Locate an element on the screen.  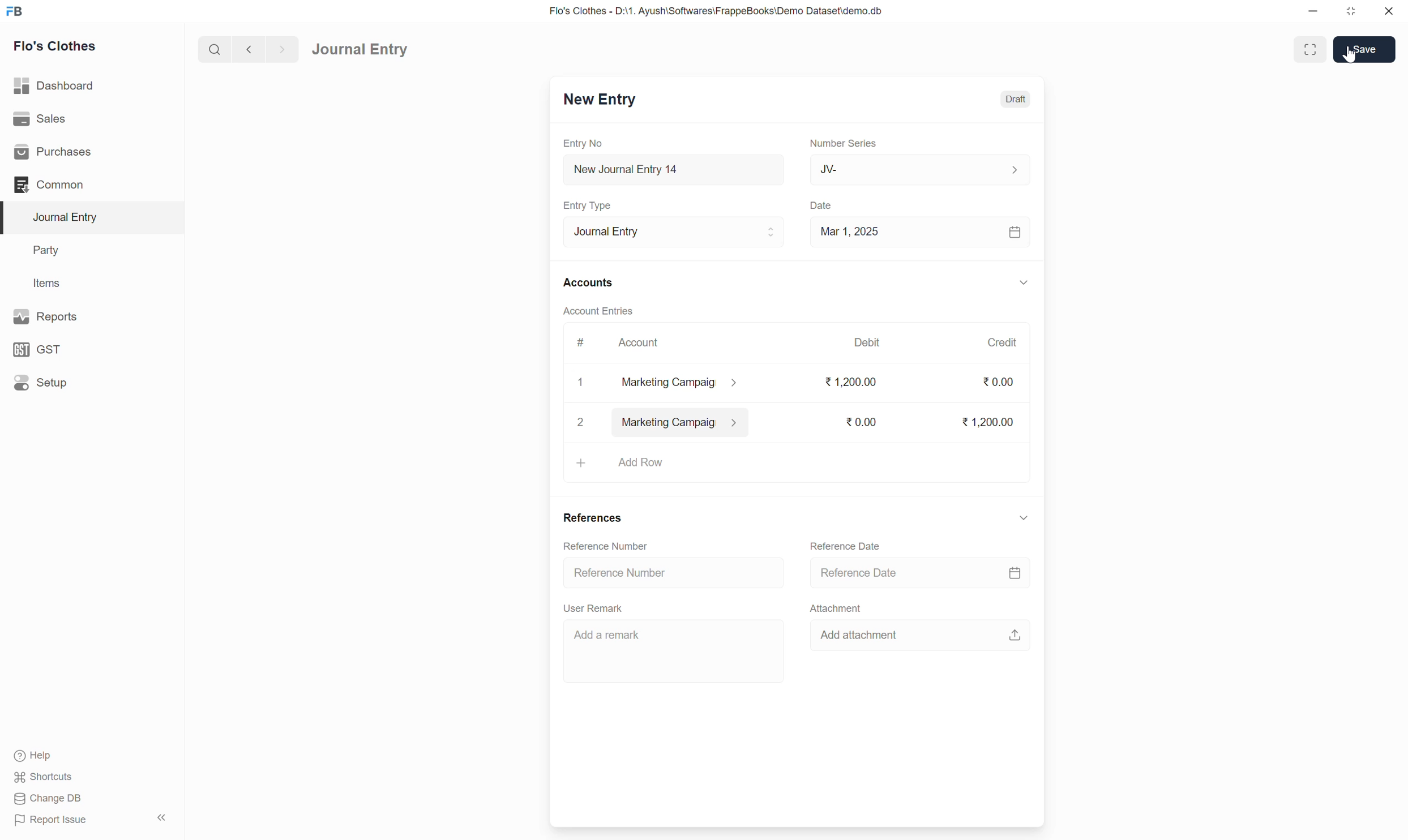
Reference Number is located at coordinates (607, 547).